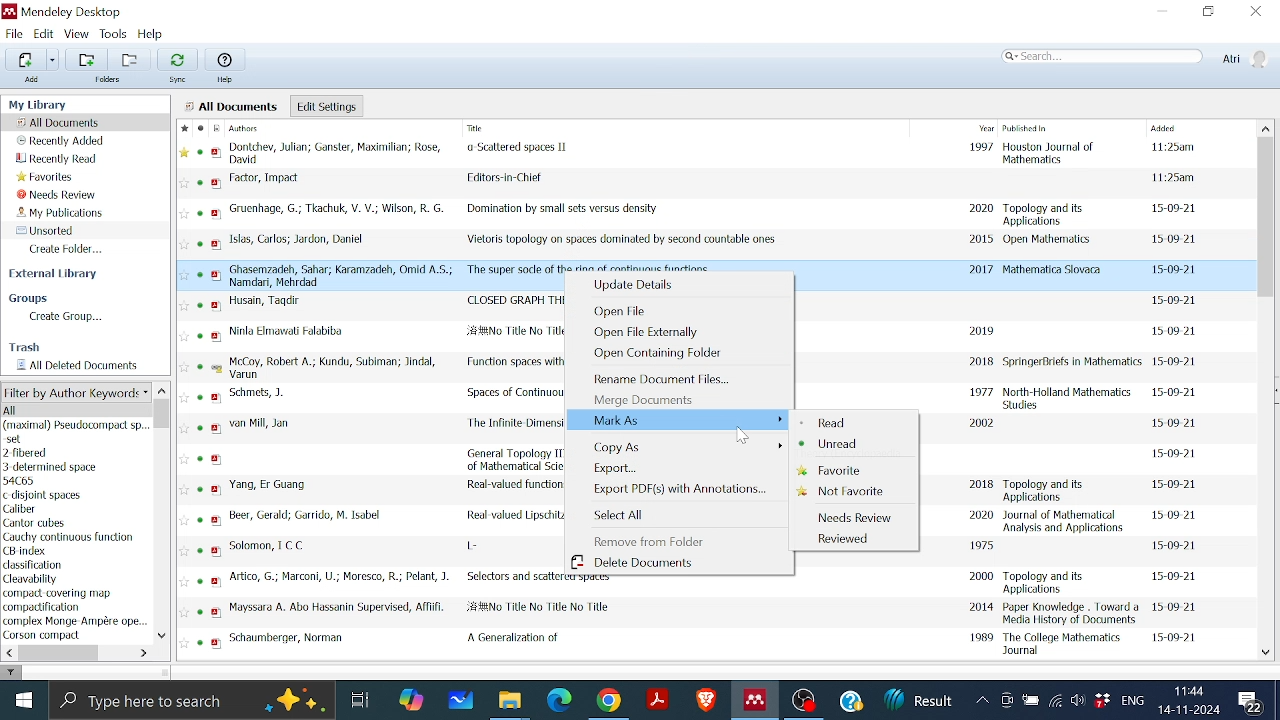 This screenshot has width=1280, height=720. Describe the element at coordinates (11, 411) in the screenshot. I see `All` at that location.